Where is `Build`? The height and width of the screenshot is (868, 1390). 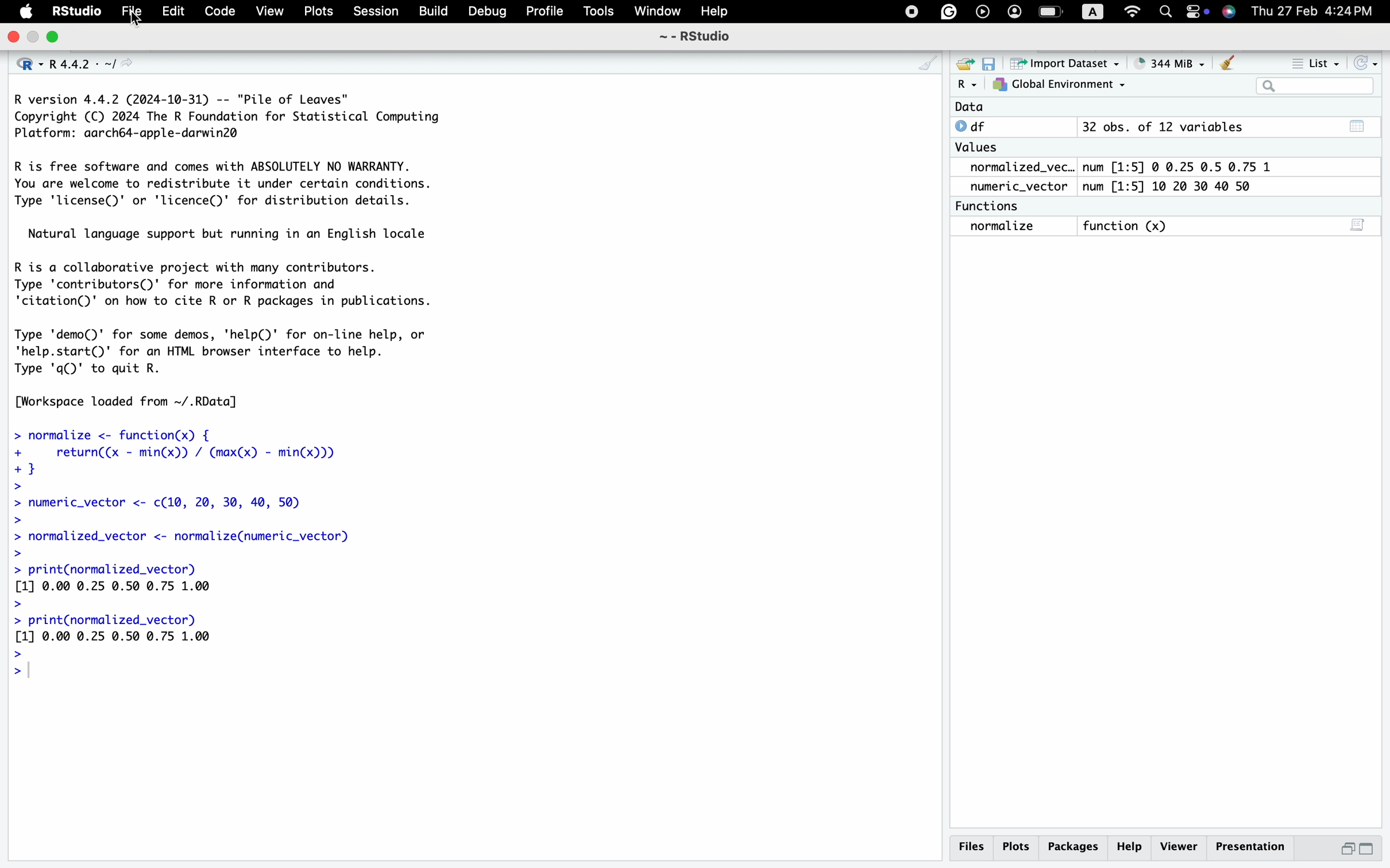 Build is located at coordinates (434, 14).